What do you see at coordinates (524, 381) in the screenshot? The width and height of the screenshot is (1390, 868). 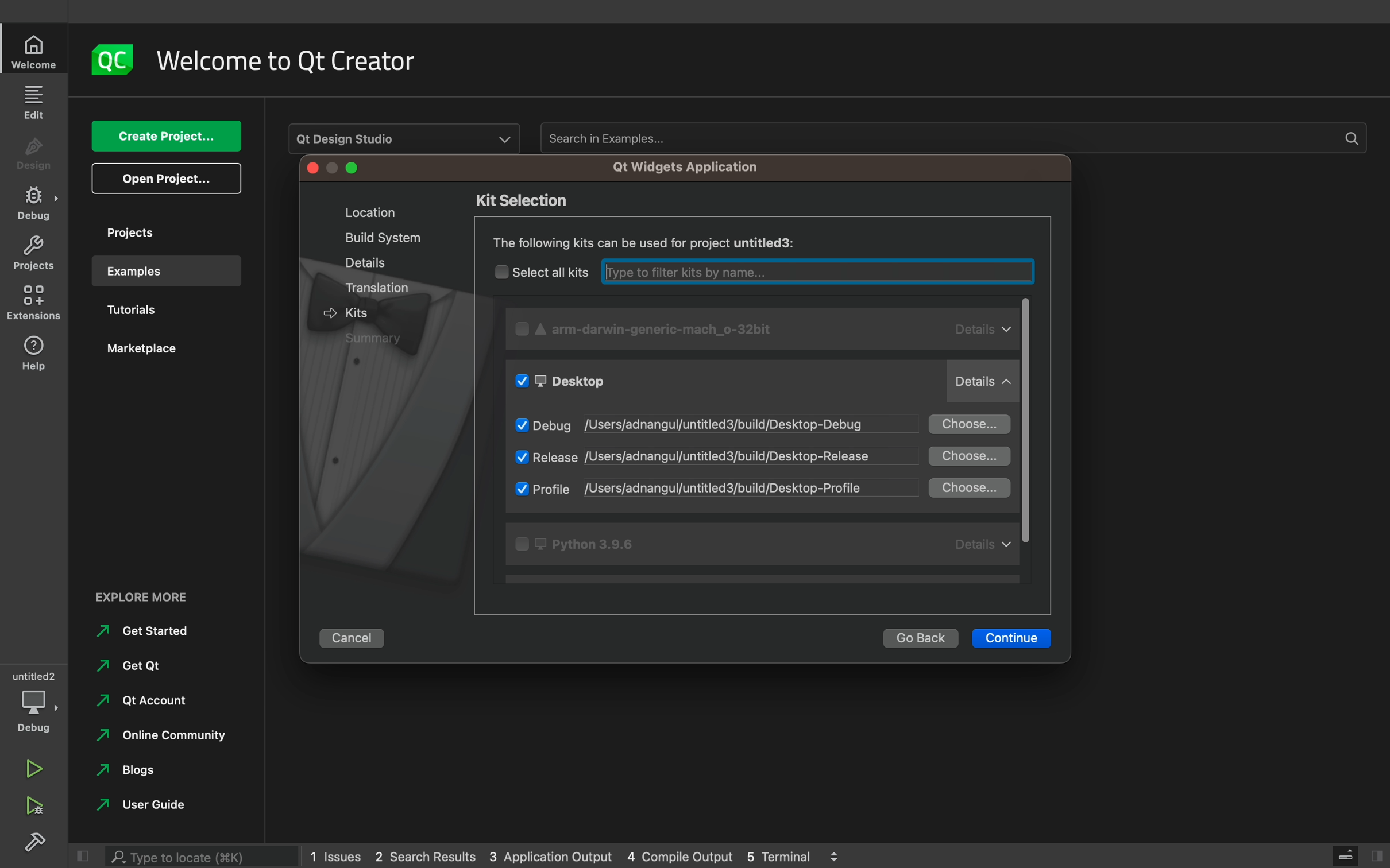 I see `check button` at bounding box center [524, 381].